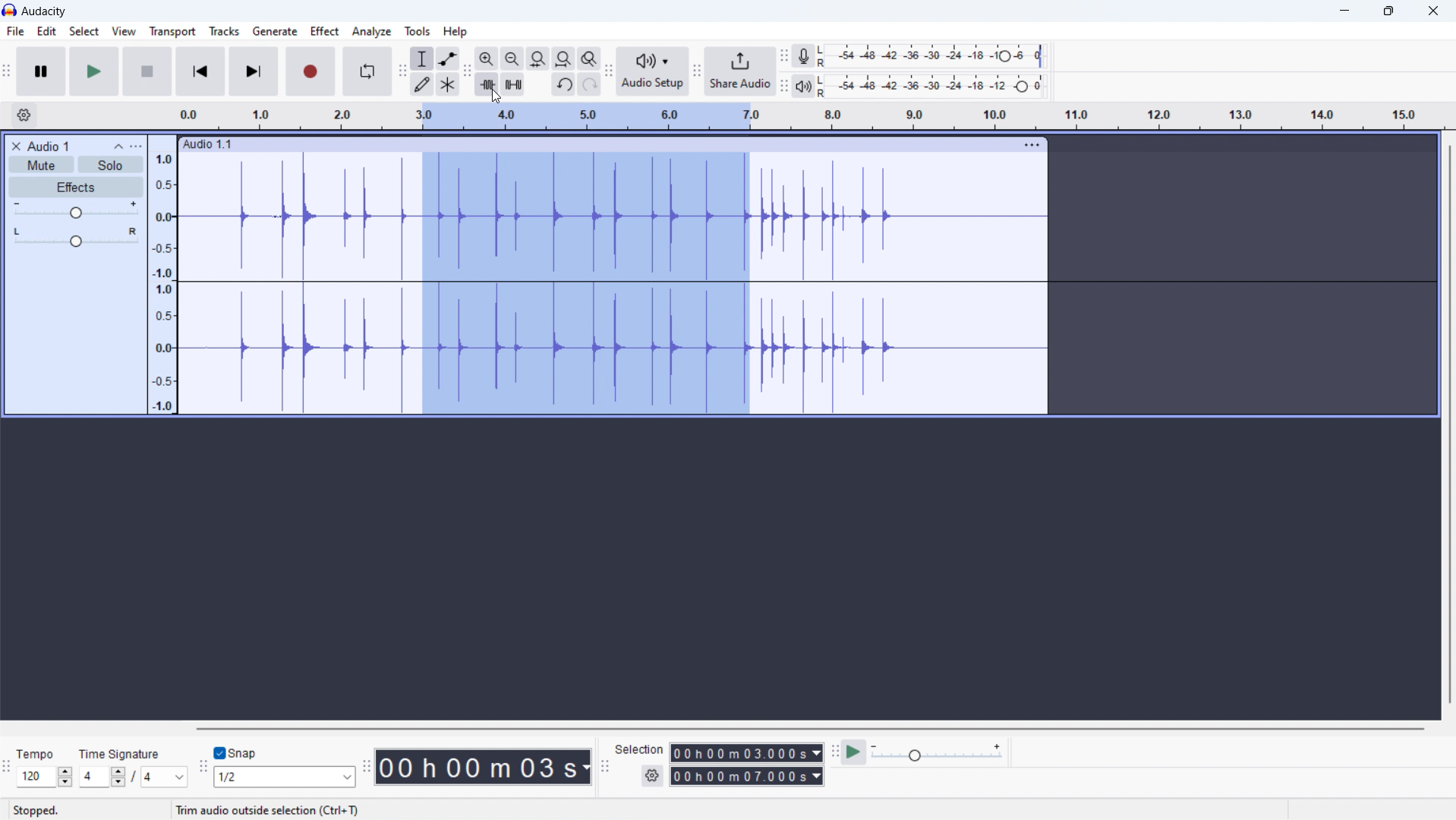  What do you see at coordinates (124, 31) in the screenshot?
I see `view` at bounding box center [124, 31].